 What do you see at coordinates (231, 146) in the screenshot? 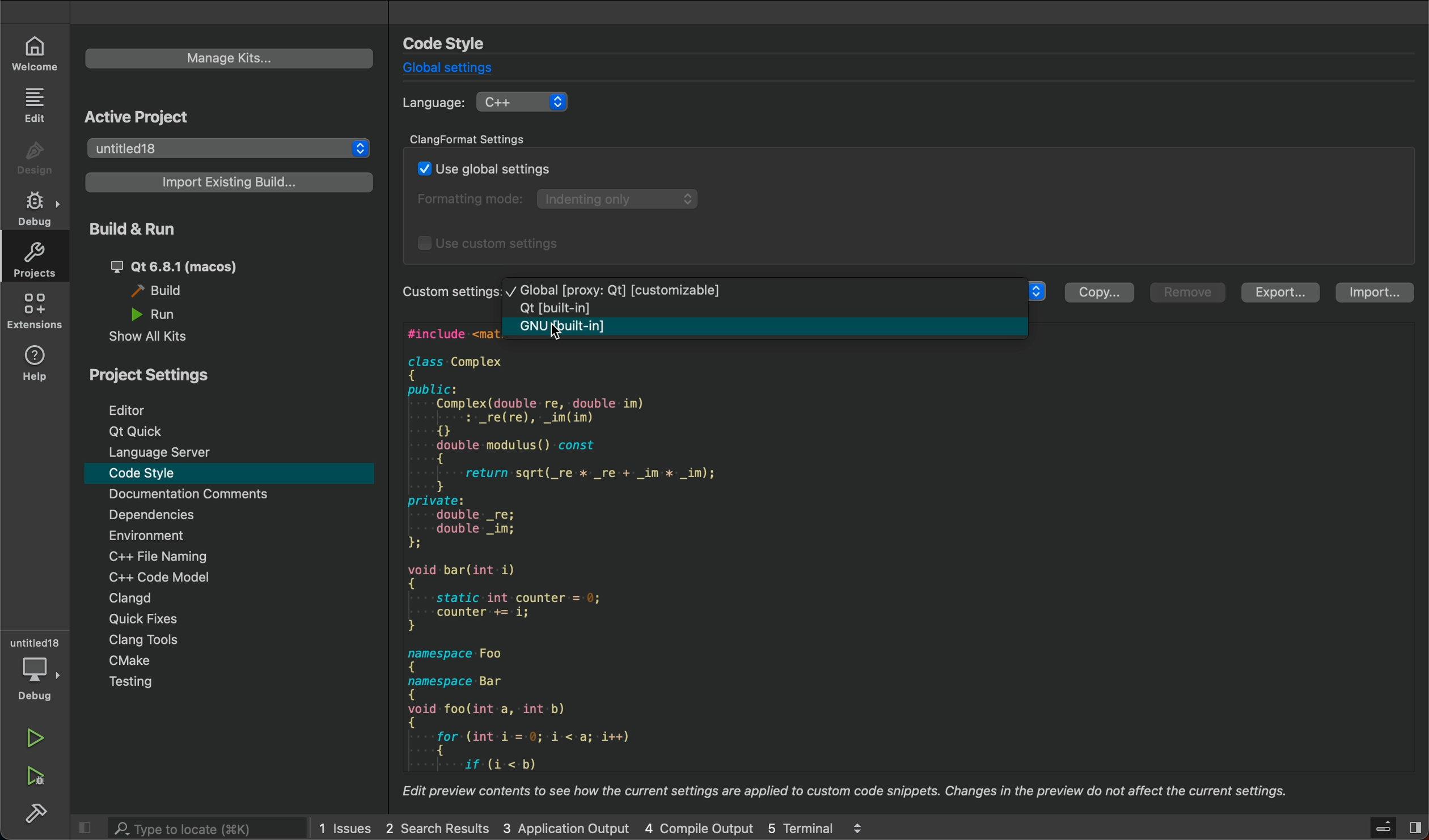
I see `untitled18` at bounding box center [231, 146].